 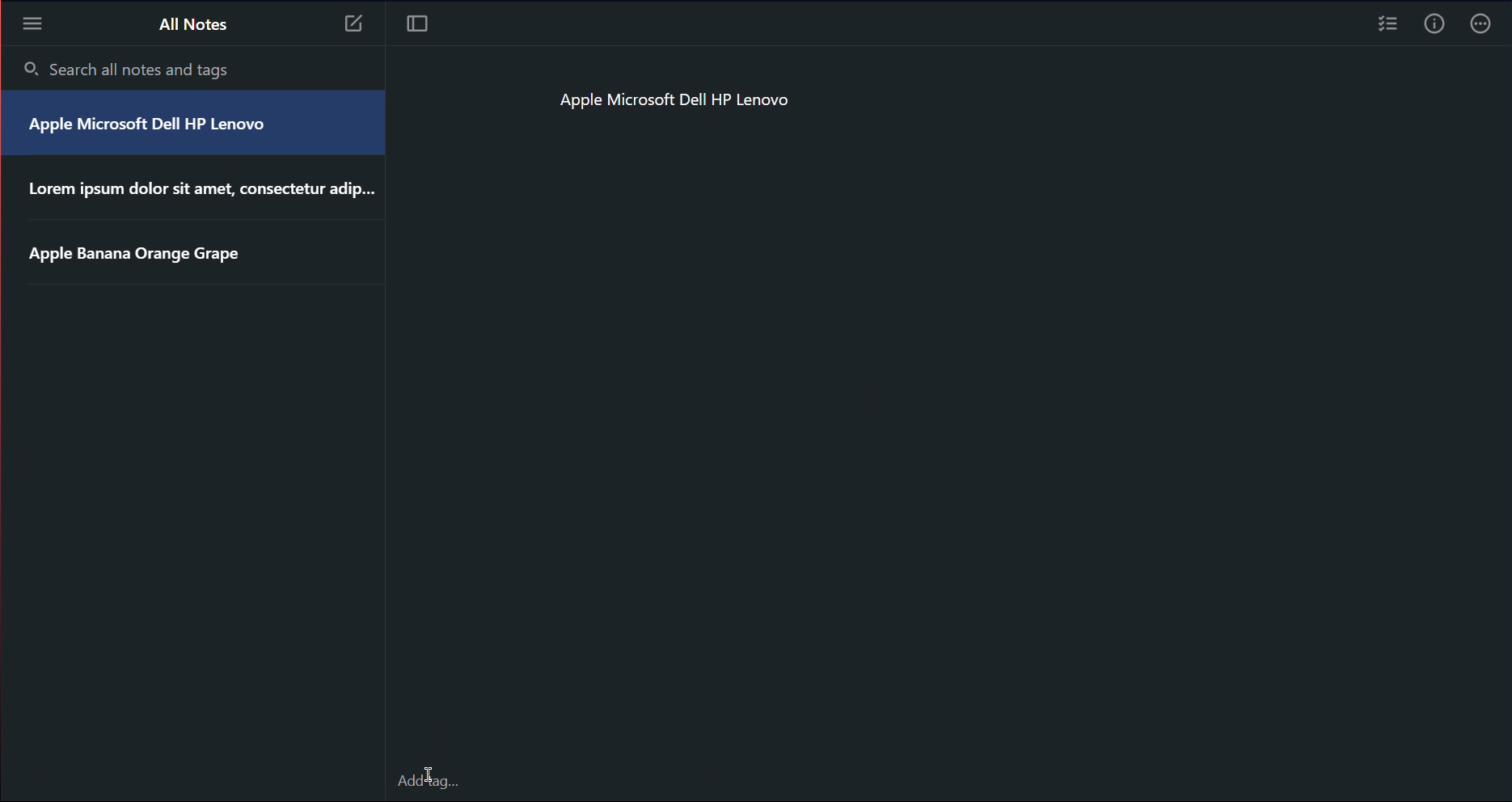 I want to click on cursor, so click(x=432, y=773).